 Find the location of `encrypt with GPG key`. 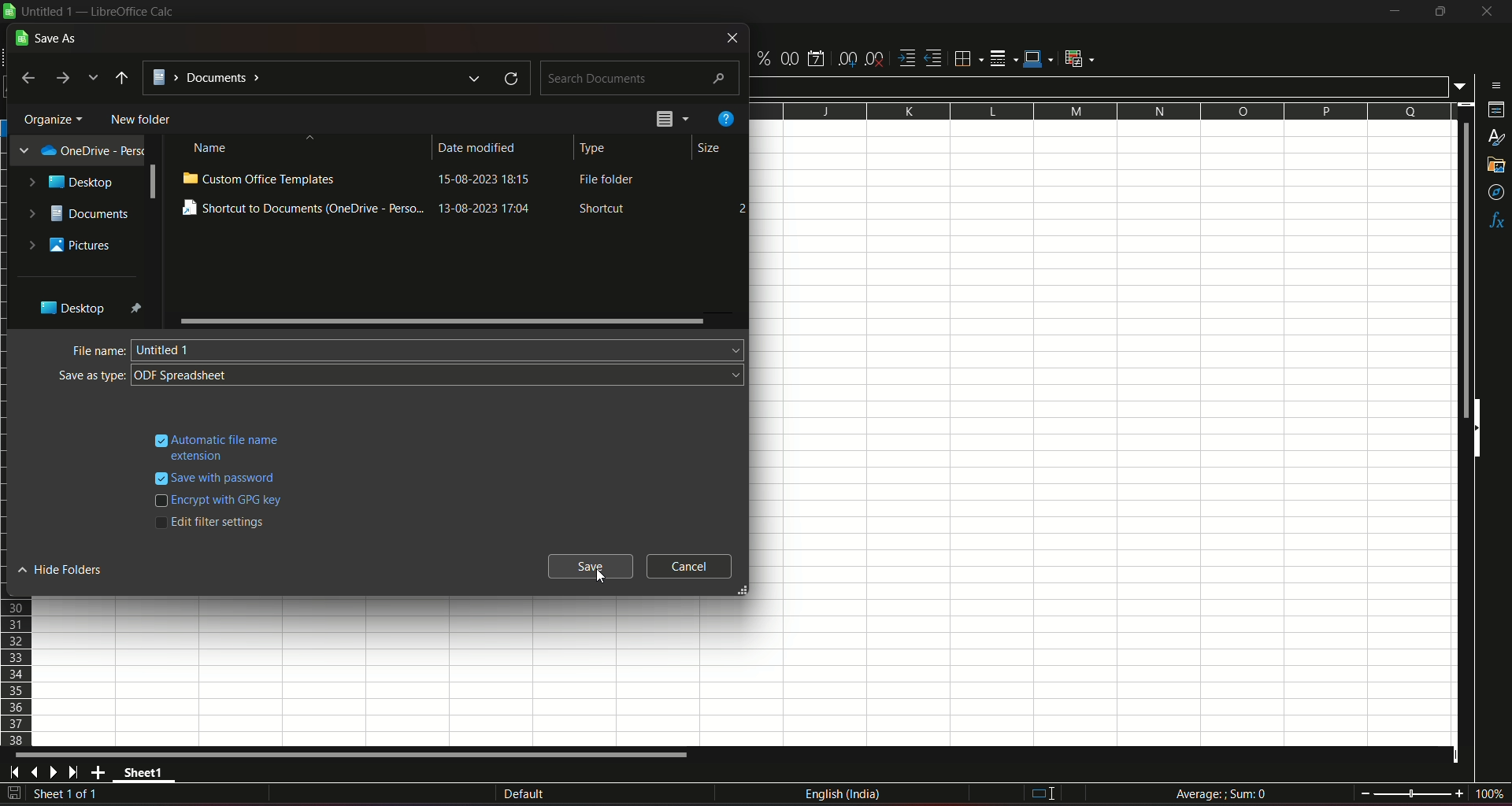

encrypt with GPG key is located at coordinates (231, 501).